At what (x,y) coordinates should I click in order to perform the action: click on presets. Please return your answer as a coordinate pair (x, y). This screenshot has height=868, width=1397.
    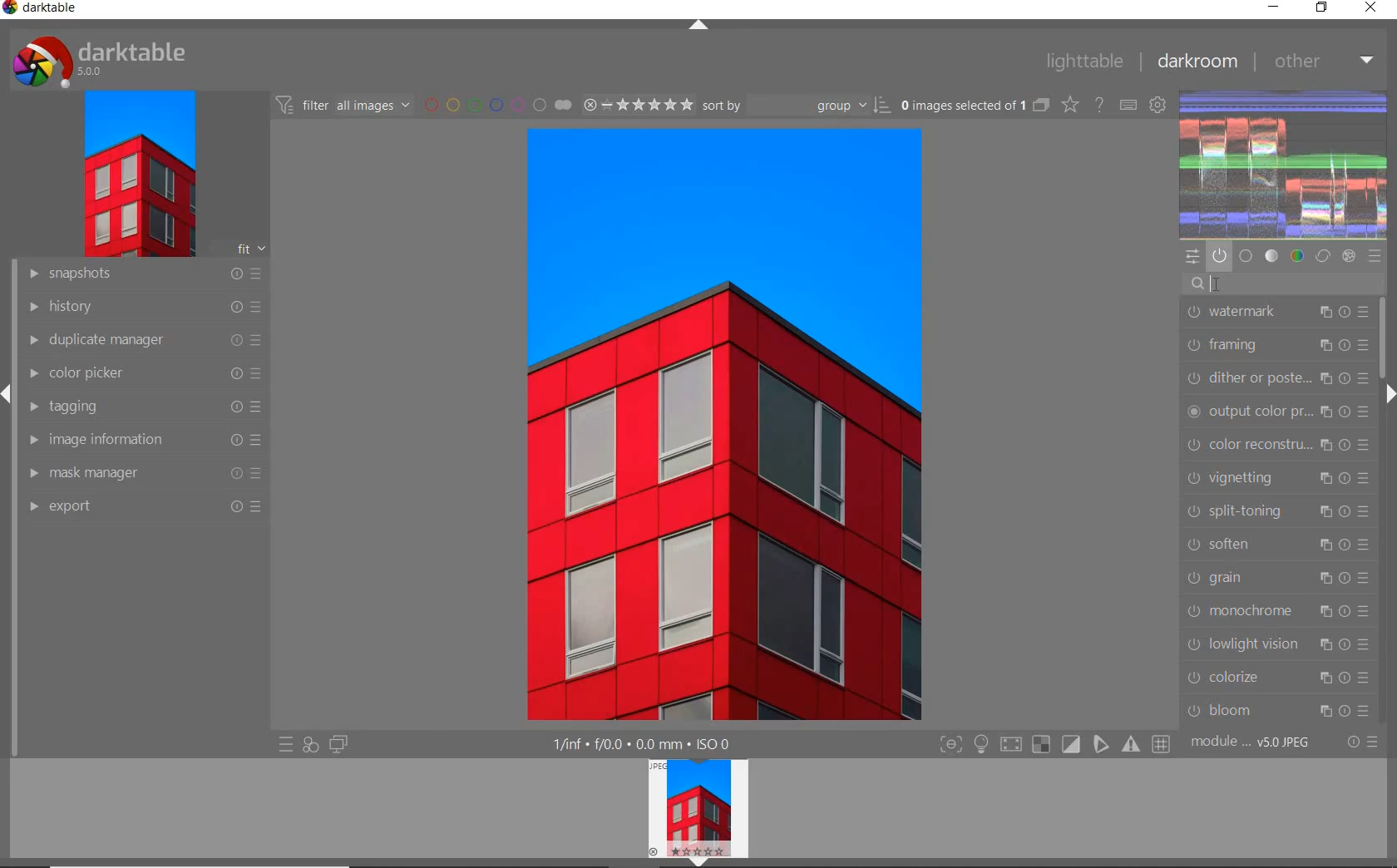
    Looking at the image, I should click on (1375, 254).